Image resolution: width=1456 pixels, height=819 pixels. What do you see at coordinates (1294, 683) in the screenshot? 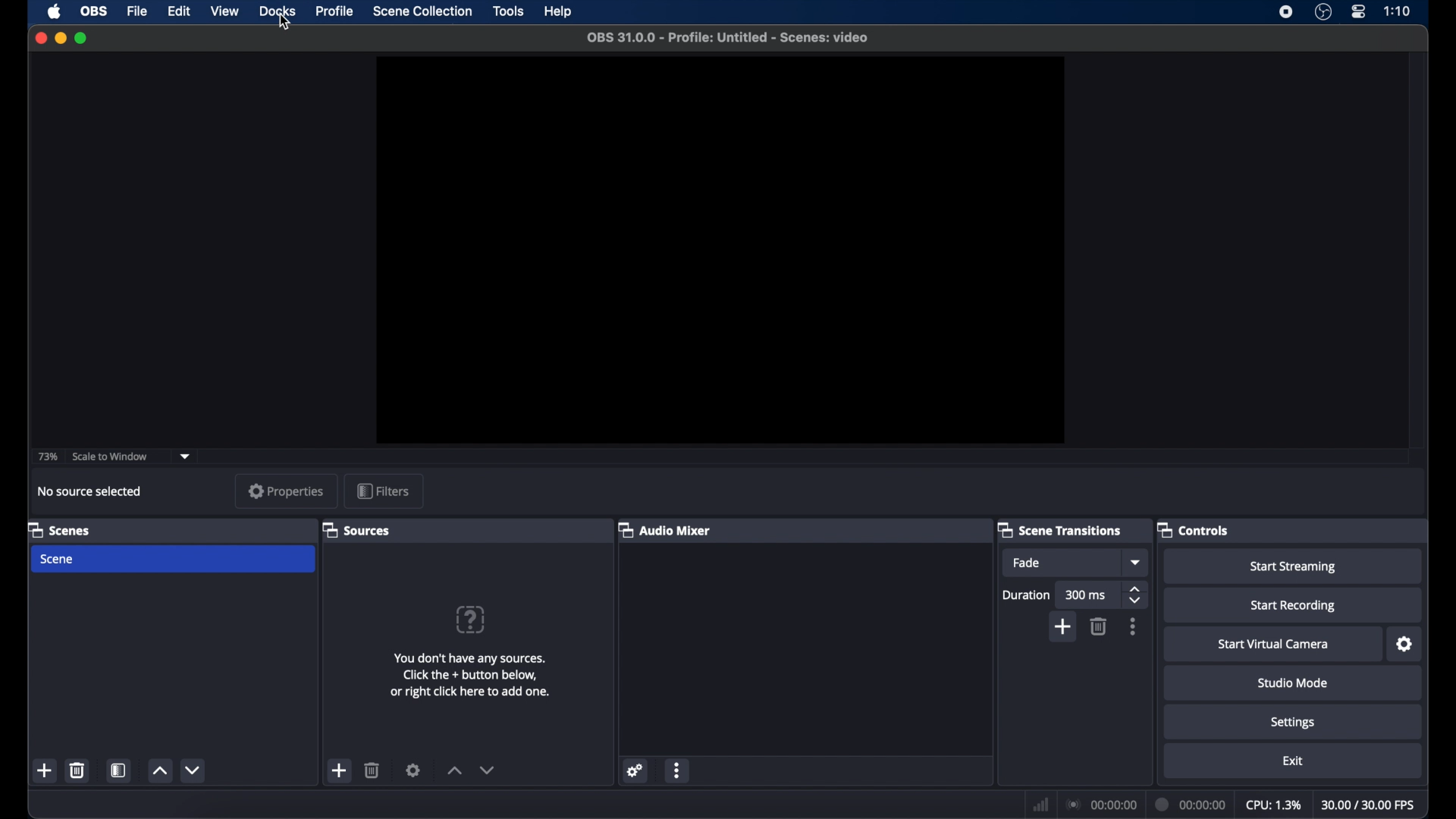
I see `studio mode` at bounding box center [1294, 683].